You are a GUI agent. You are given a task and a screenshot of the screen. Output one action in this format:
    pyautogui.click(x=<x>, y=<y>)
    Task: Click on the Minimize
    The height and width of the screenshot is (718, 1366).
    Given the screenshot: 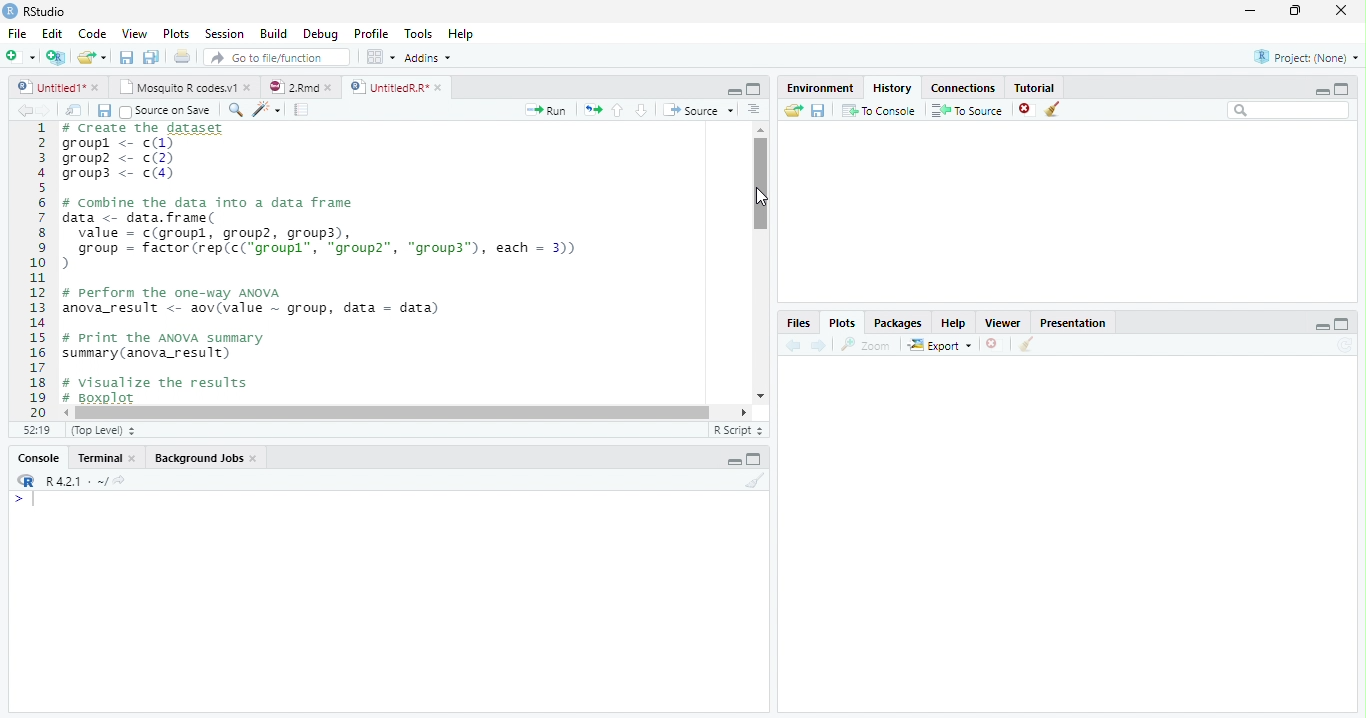 What is the action you would take?
    pyautogui.click(x=1322, y=328)
    